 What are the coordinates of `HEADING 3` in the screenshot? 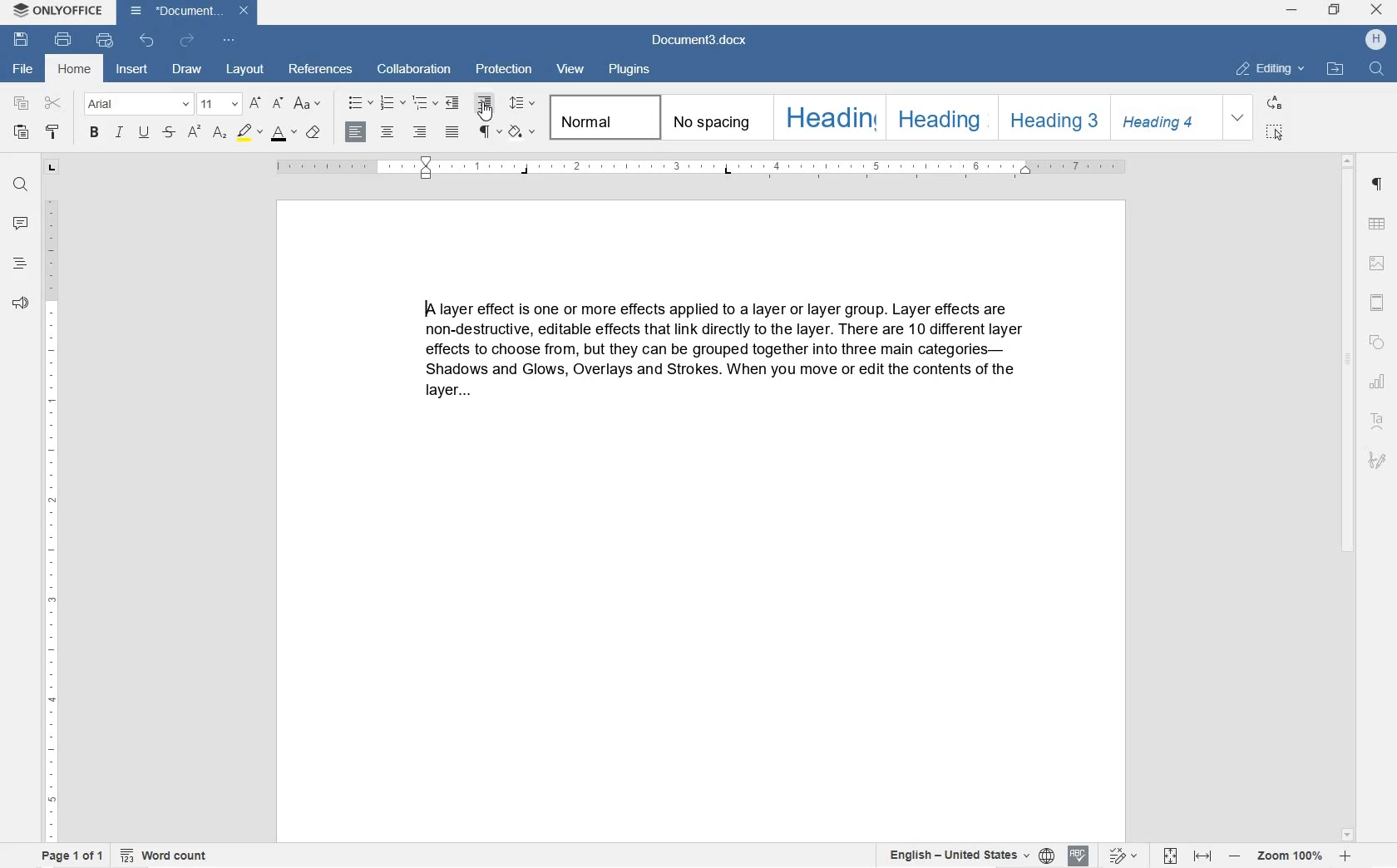 It's located at (1054, 118).